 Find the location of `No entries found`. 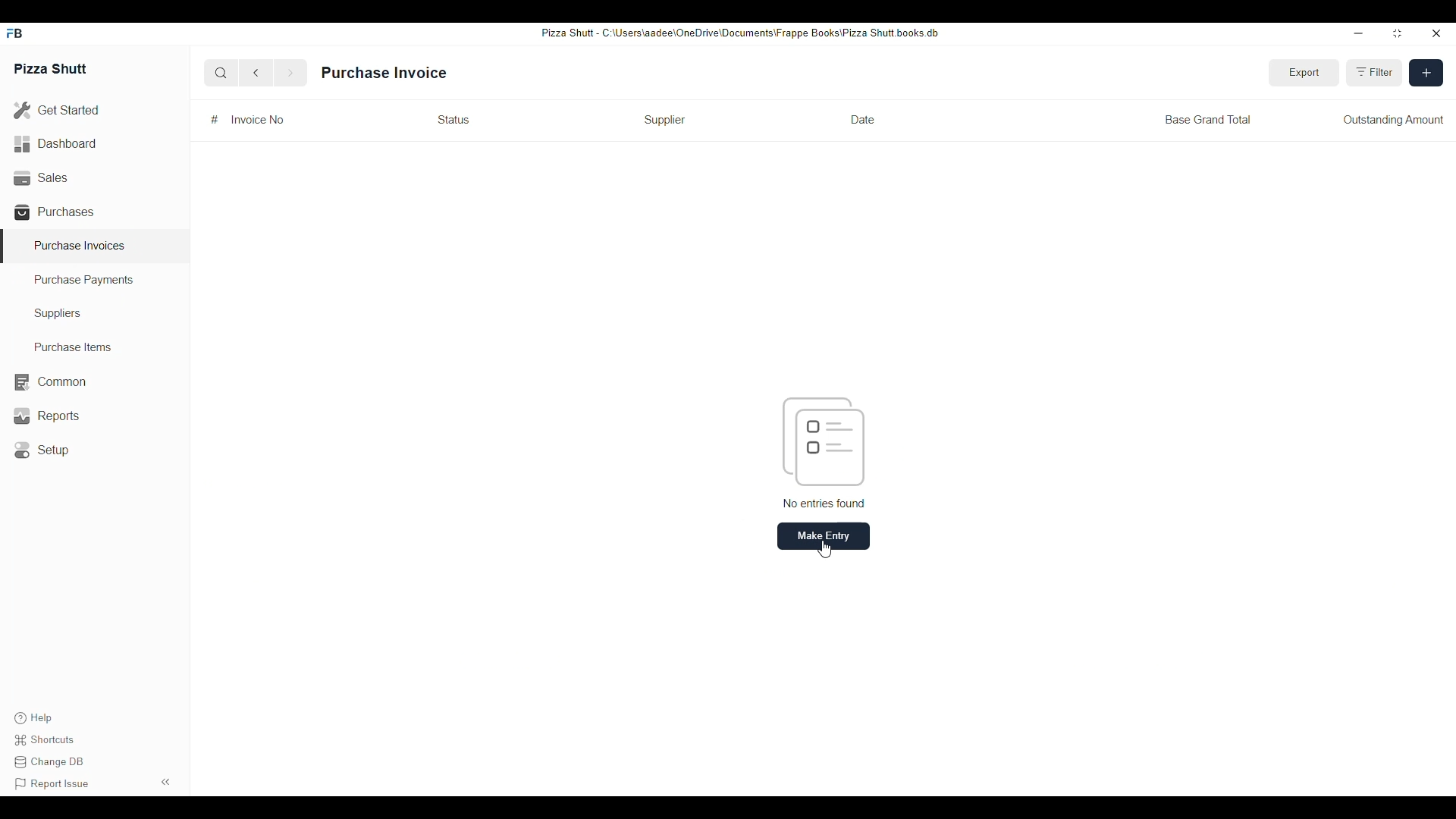

No entries found is located at coordinates (825, 504).